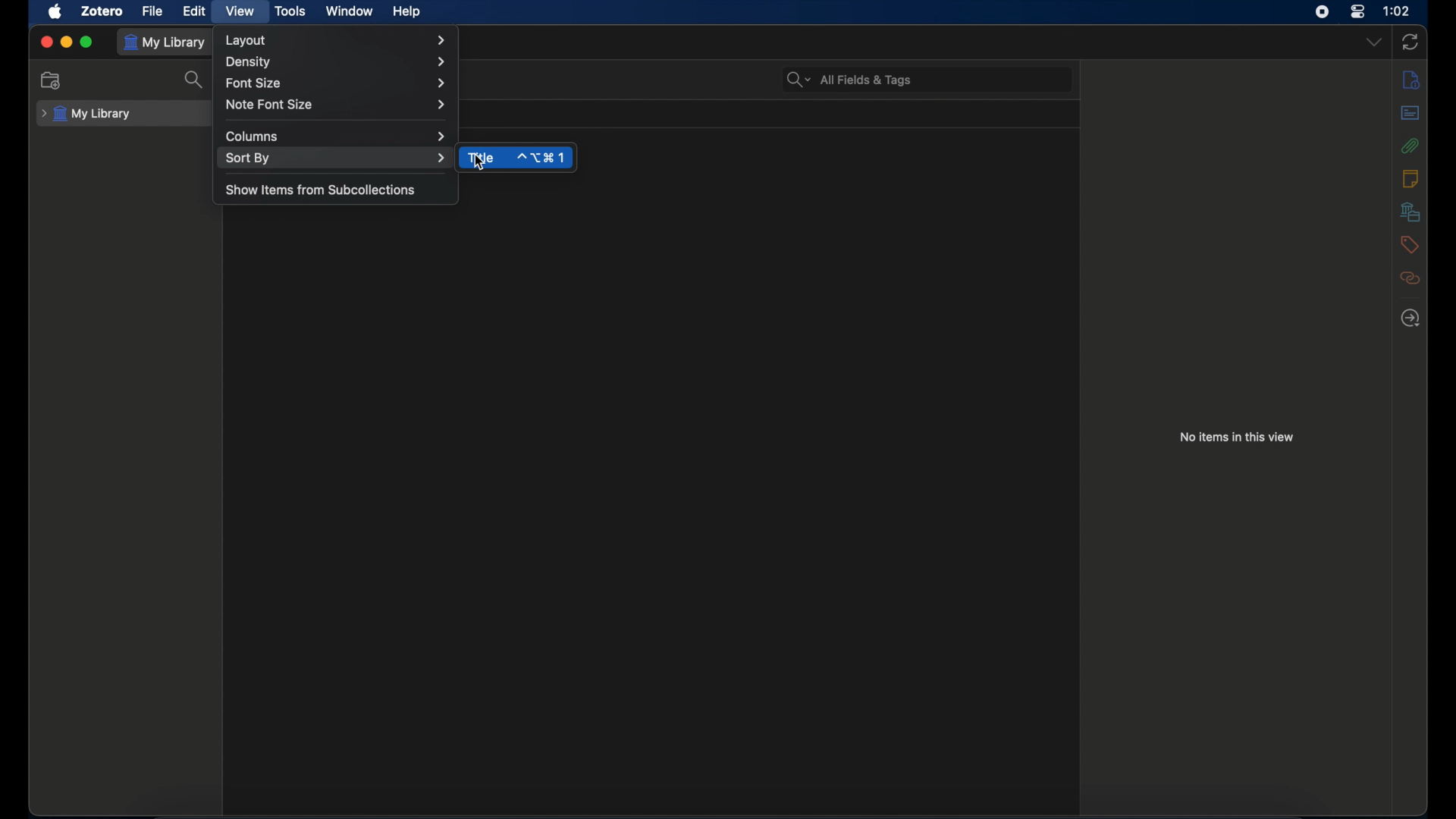  What do you see at coordinates (1373, 41) in the screenshot?
I see `dropdown` at bounding box center [1373, 41].